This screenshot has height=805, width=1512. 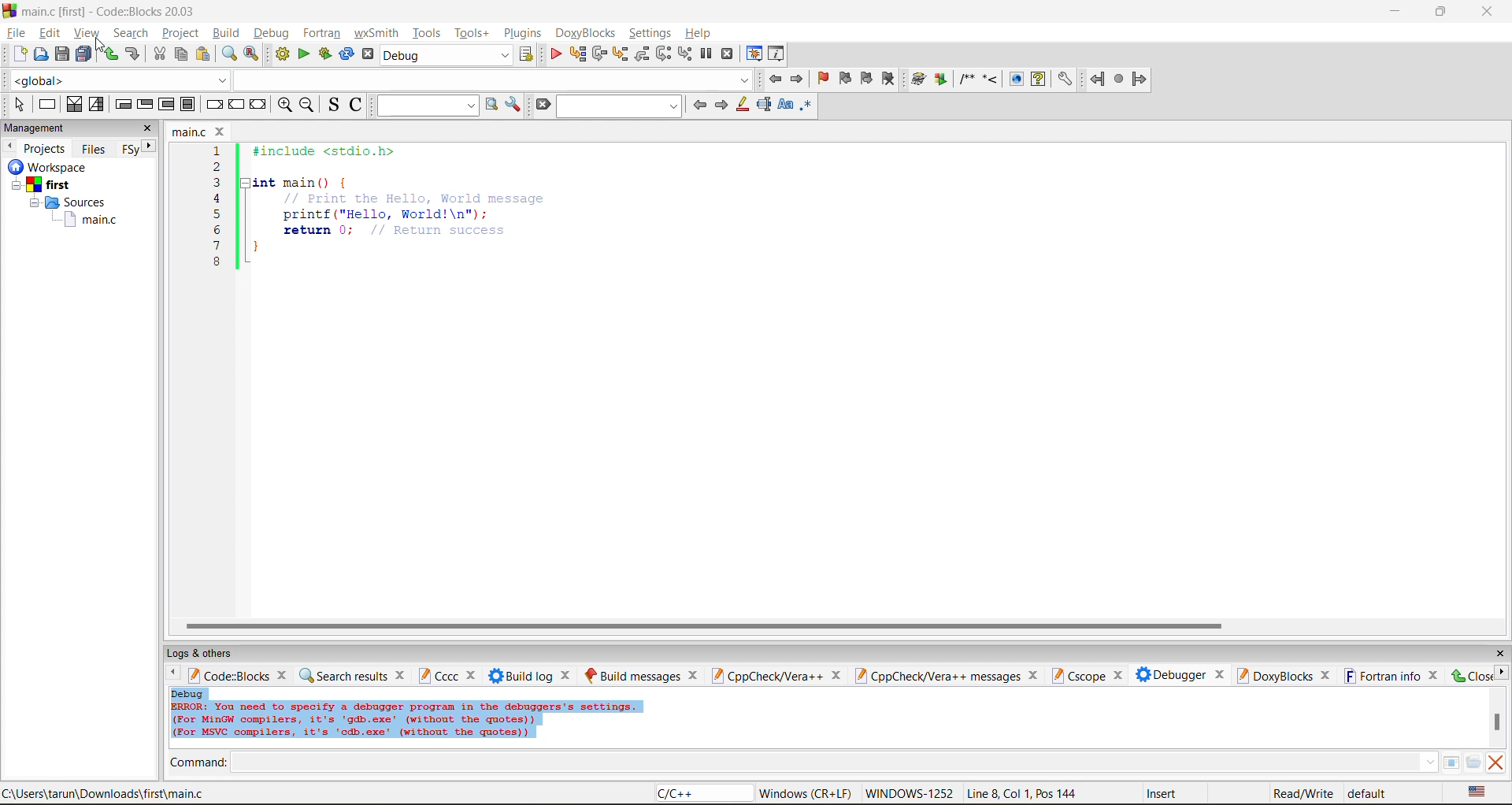 What do you see at coordinates (730, 54) in the screenshot?
I see `stop debugger` at bounding box center [730, 54].